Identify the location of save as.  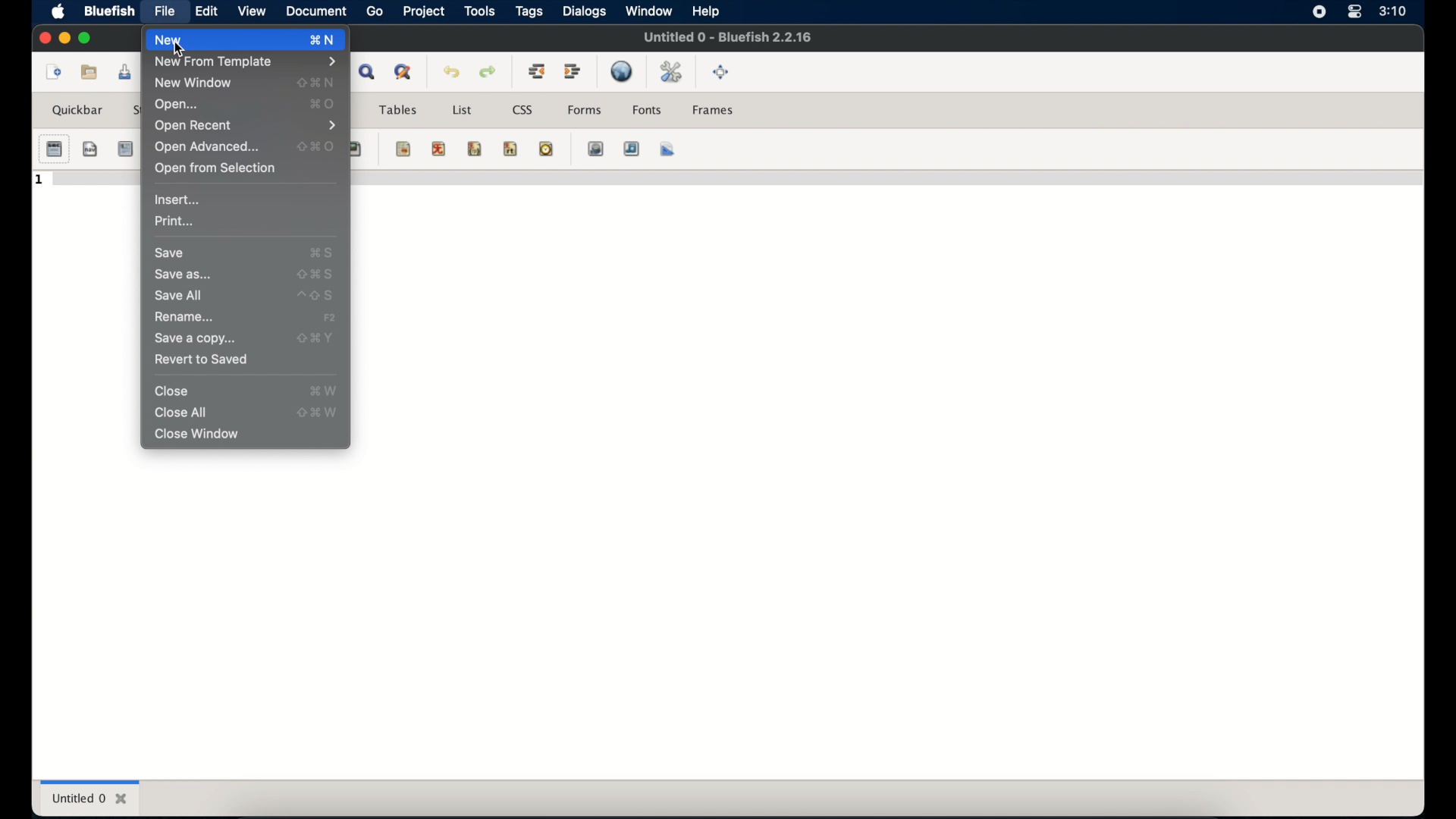
(184, 274).